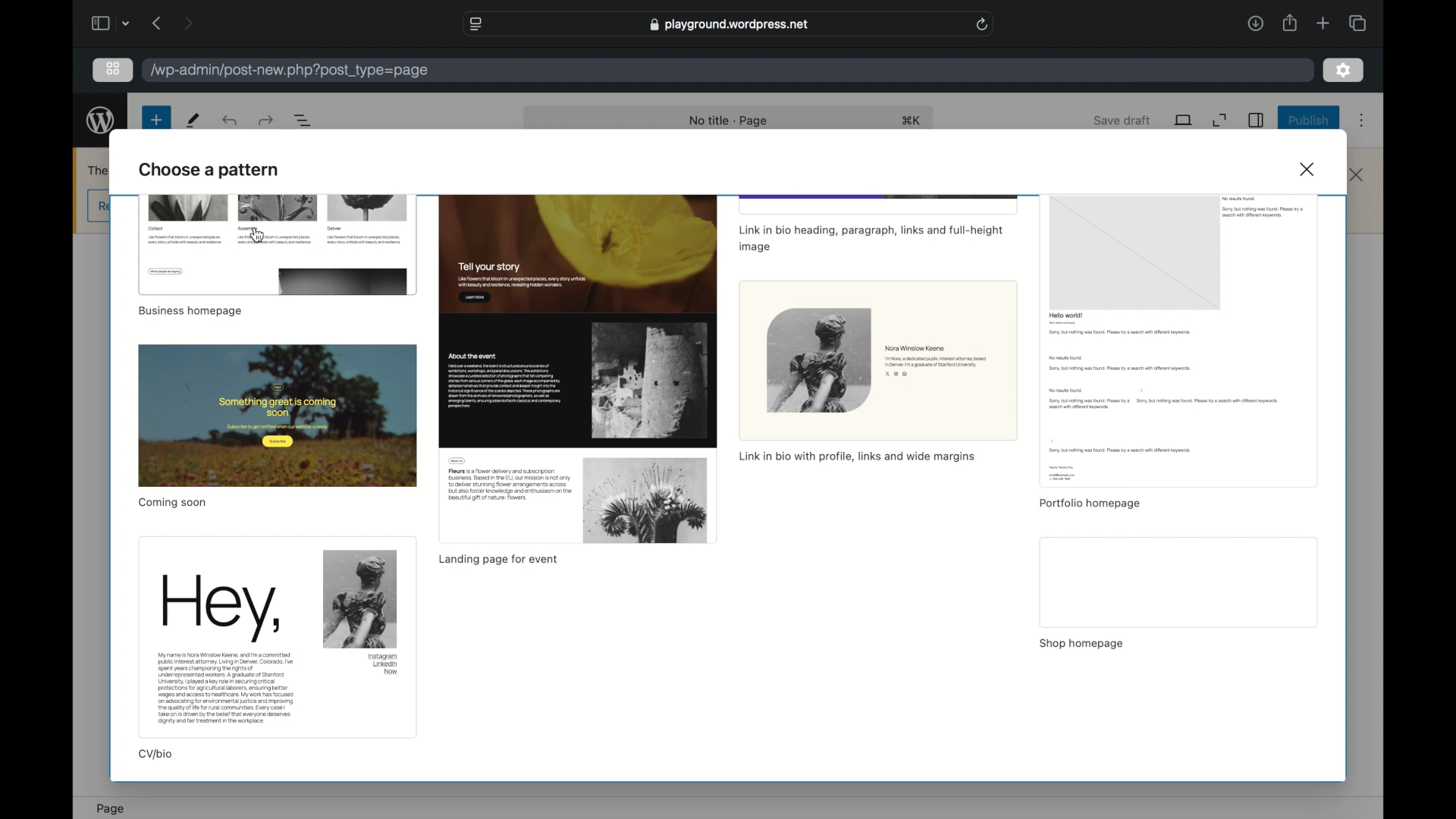  I want to click on wordpress, so click(101, 121).